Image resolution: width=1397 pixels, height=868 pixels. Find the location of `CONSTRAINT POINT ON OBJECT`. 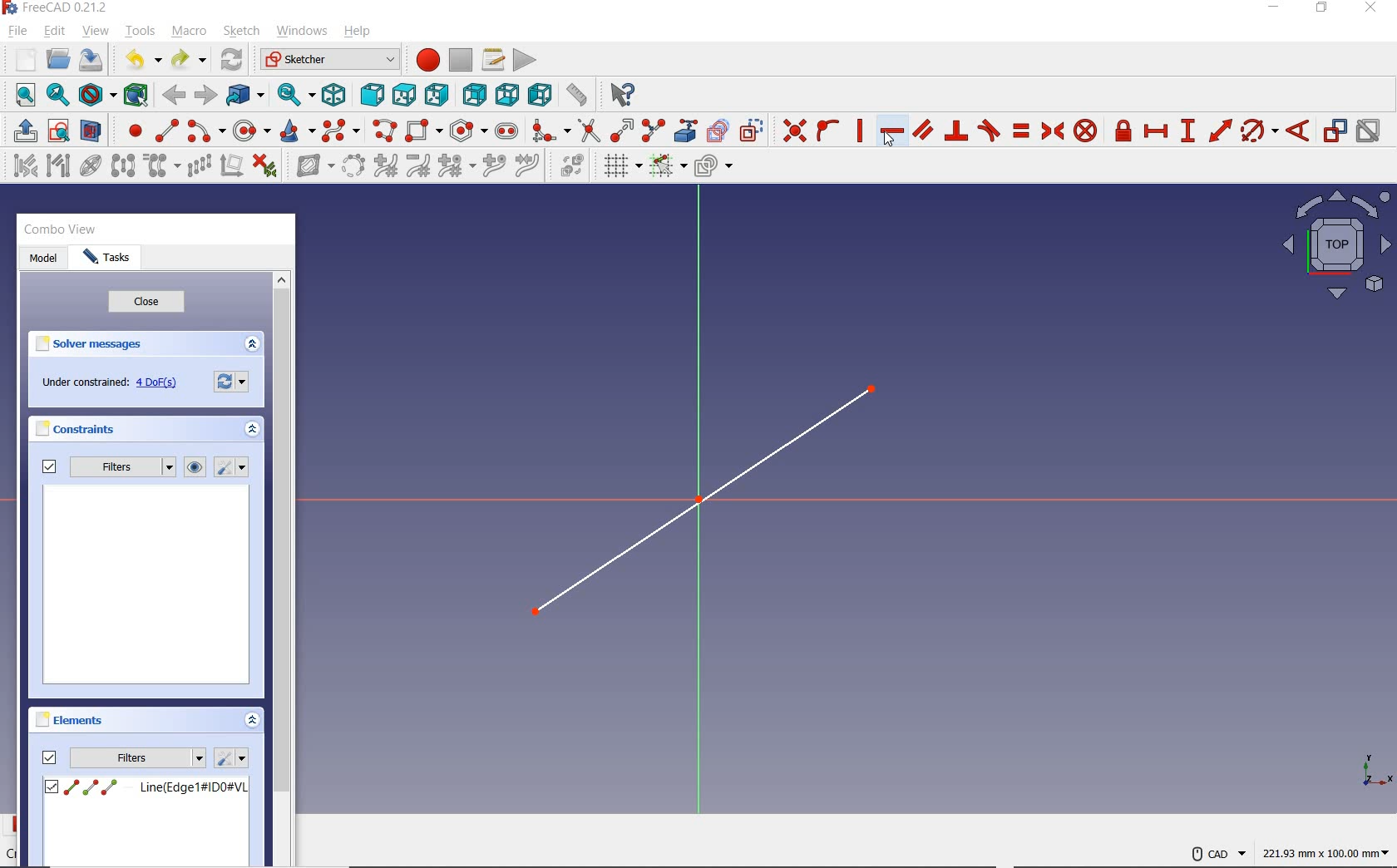

CONSTRAINT POINT ON OBJECT is located at coordinates (828, 129).